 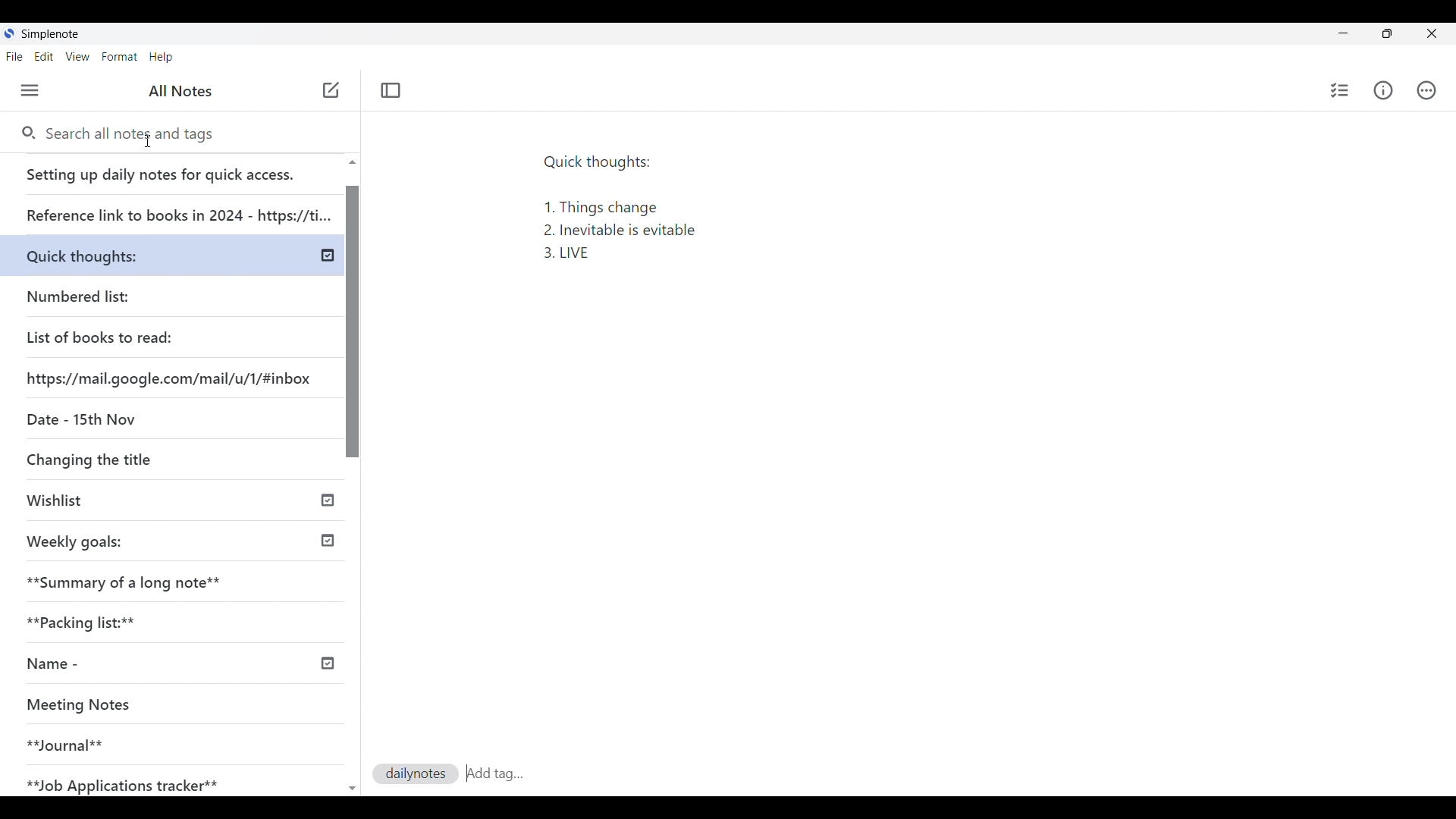 I want to click on Wishlist, so click(x=127, y=502).